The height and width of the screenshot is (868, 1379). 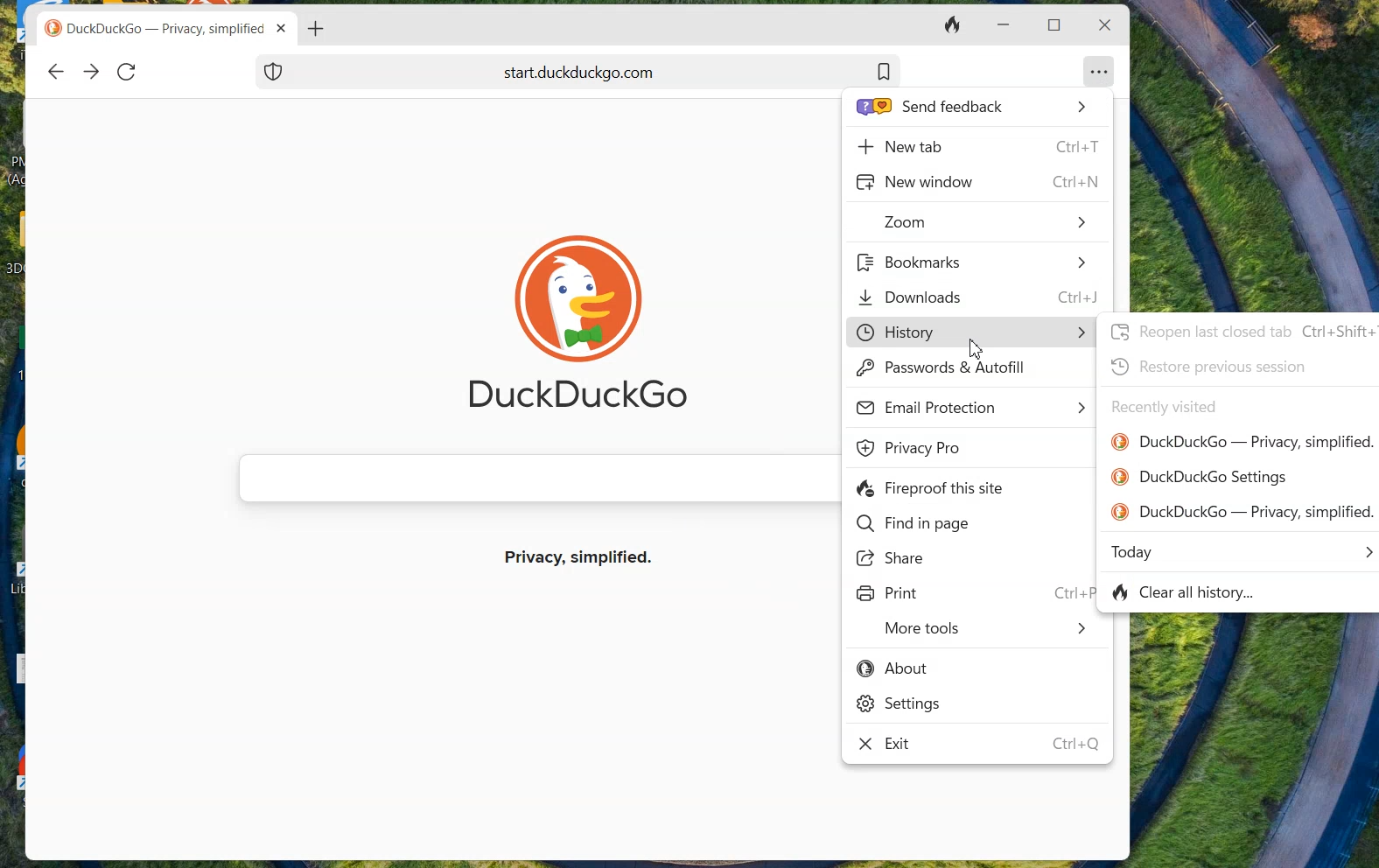 I want to click on DuckDuckGo — Privacy, simplified, so click(x=169, y=31).